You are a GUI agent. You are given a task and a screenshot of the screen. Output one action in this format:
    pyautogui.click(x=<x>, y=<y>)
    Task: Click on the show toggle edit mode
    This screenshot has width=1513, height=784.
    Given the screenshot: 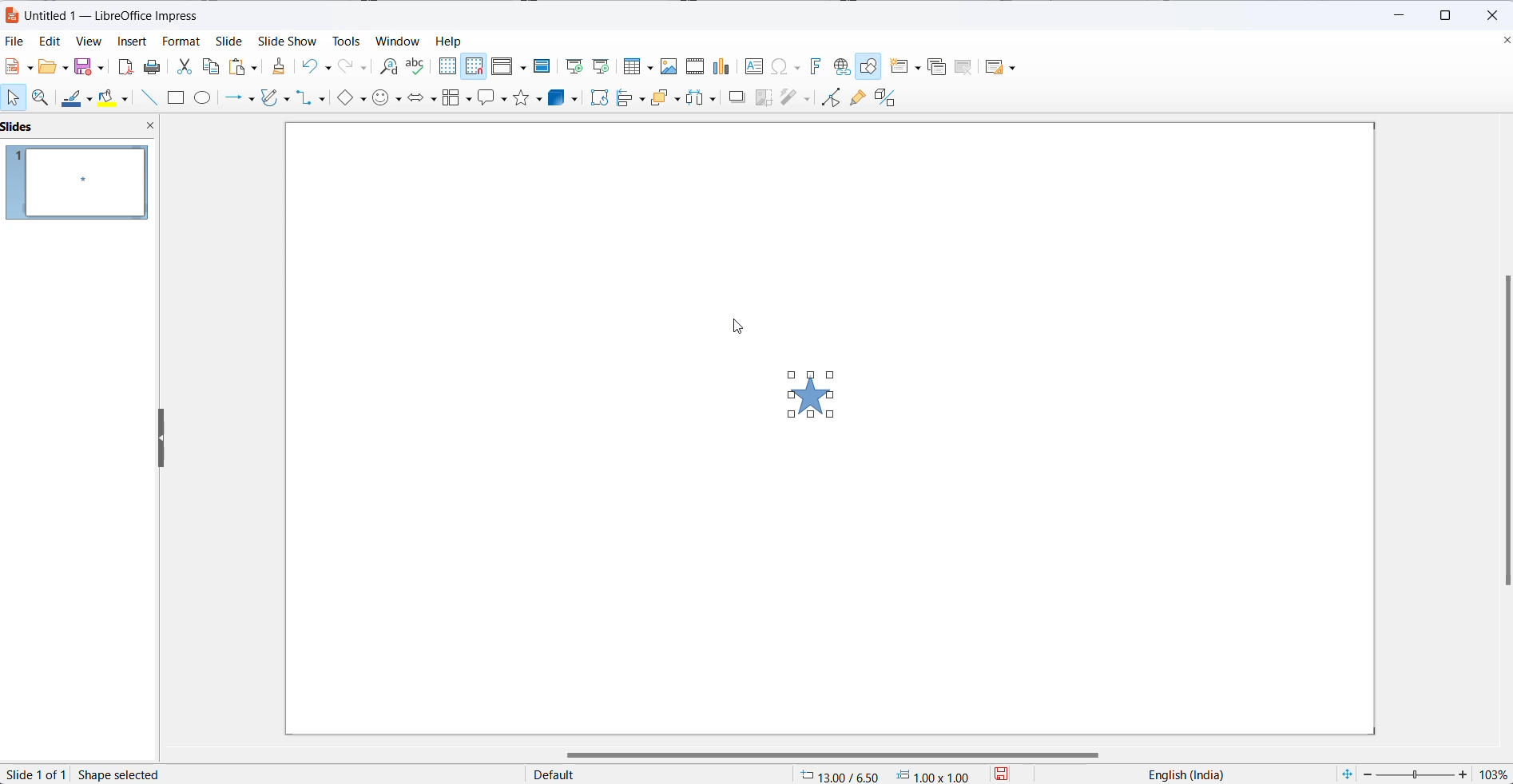 What is the action you would take?
    pyautogui.click(x=829, y=100)
    